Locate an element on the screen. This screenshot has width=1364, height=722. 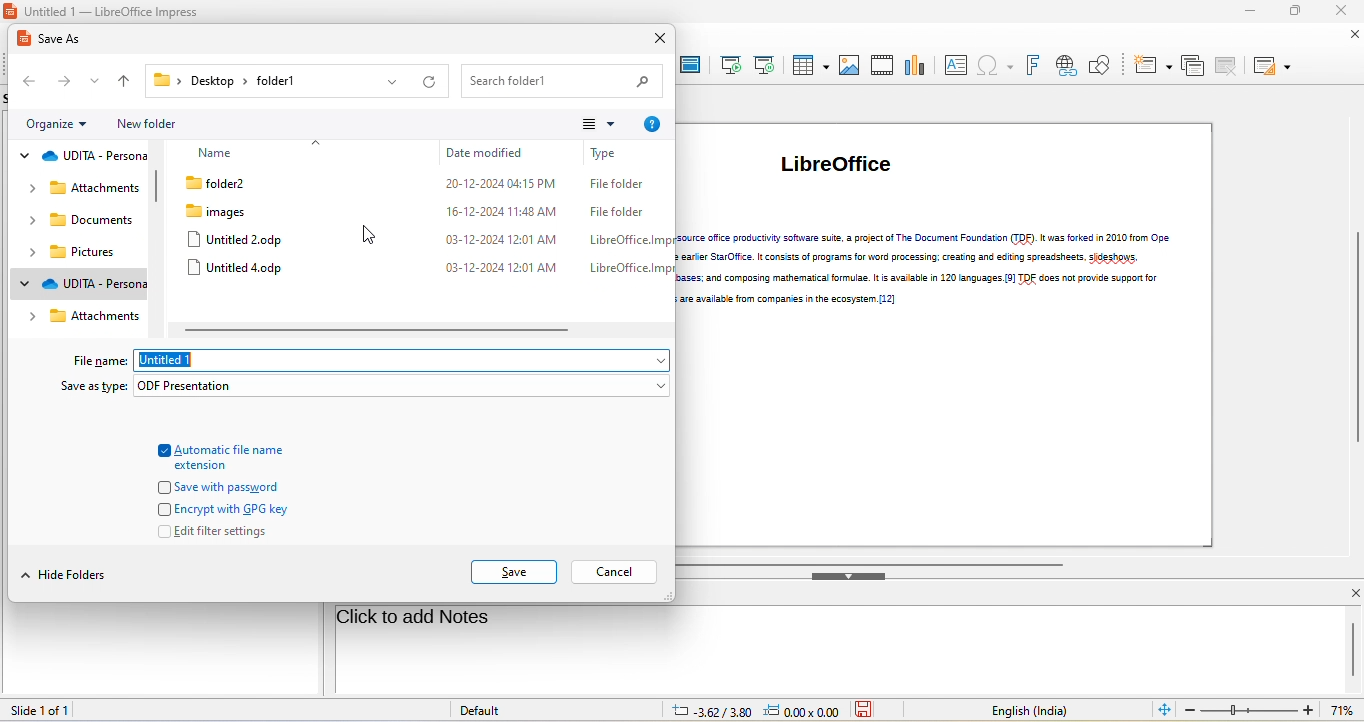
slide layout is located at coordinates (1275, 66).